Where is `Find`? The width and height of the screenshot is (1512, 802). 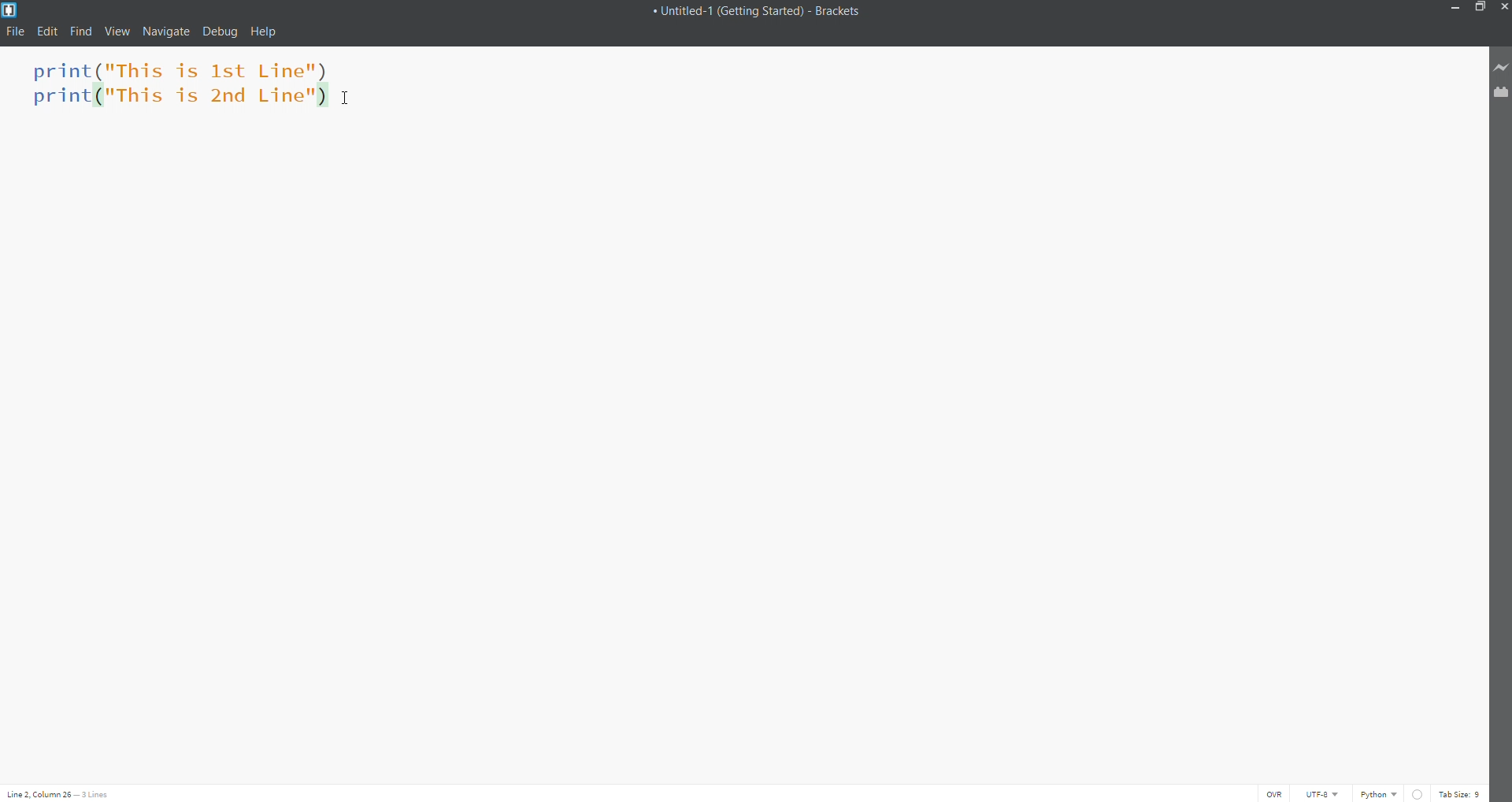 Find is located at coordinates (77, 32).